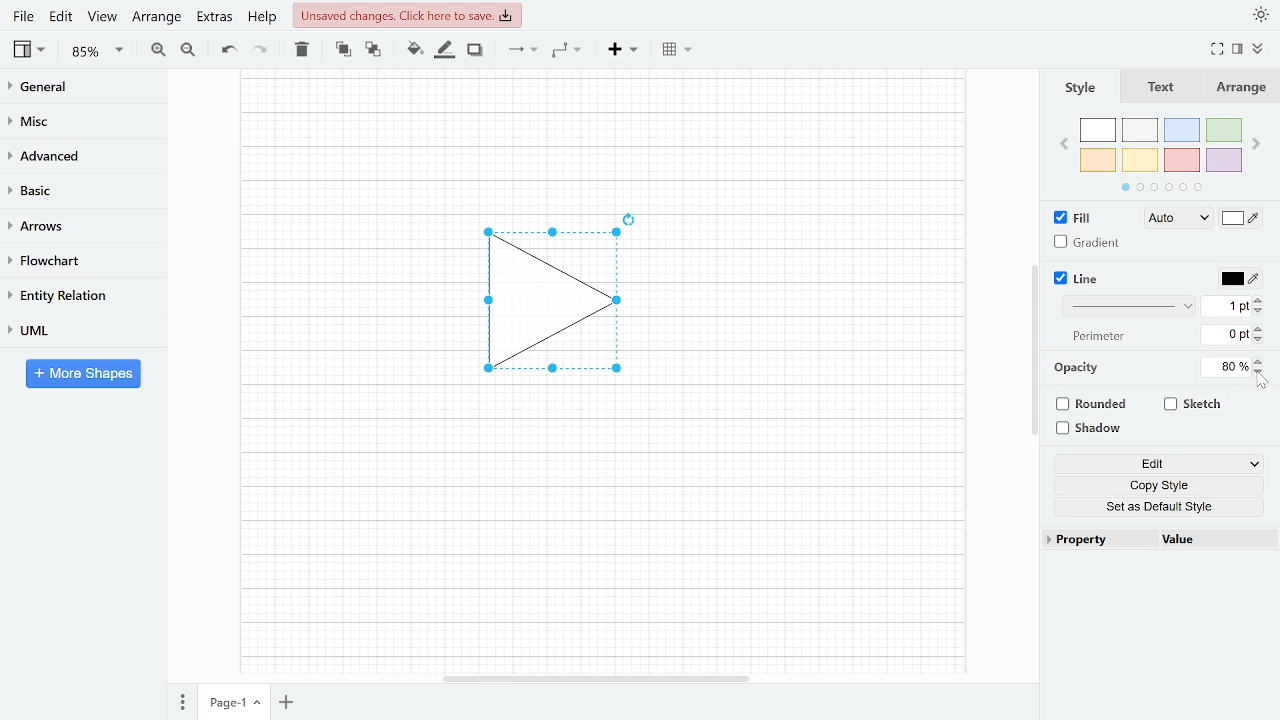 The image size is (1280, 720). What do you see at coordinates (1258, 140) in the screenshot?
I see `Next` at bounding box center [1258, 140].